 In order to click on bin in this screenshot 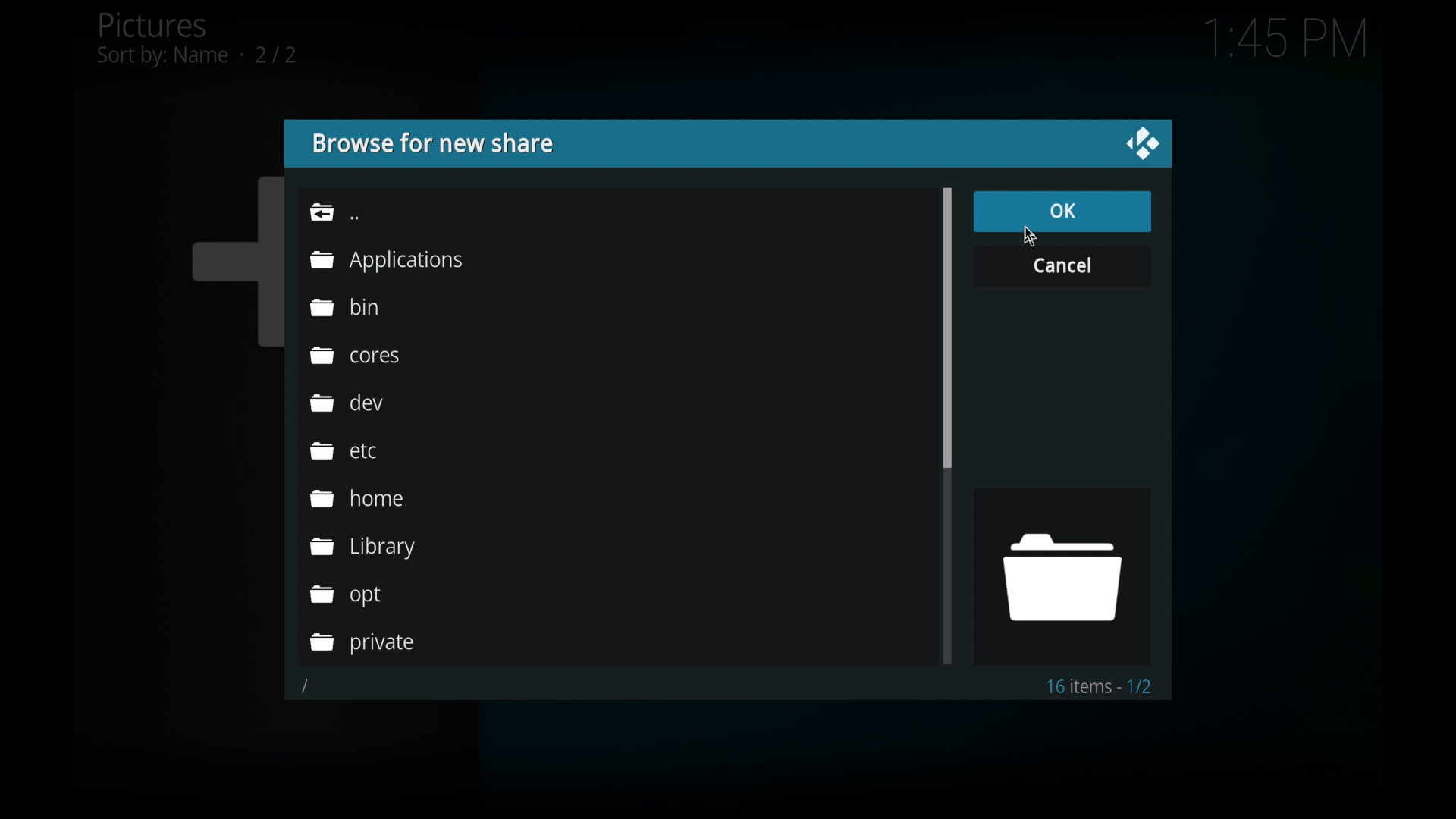, I will do `click(343, 306)`.